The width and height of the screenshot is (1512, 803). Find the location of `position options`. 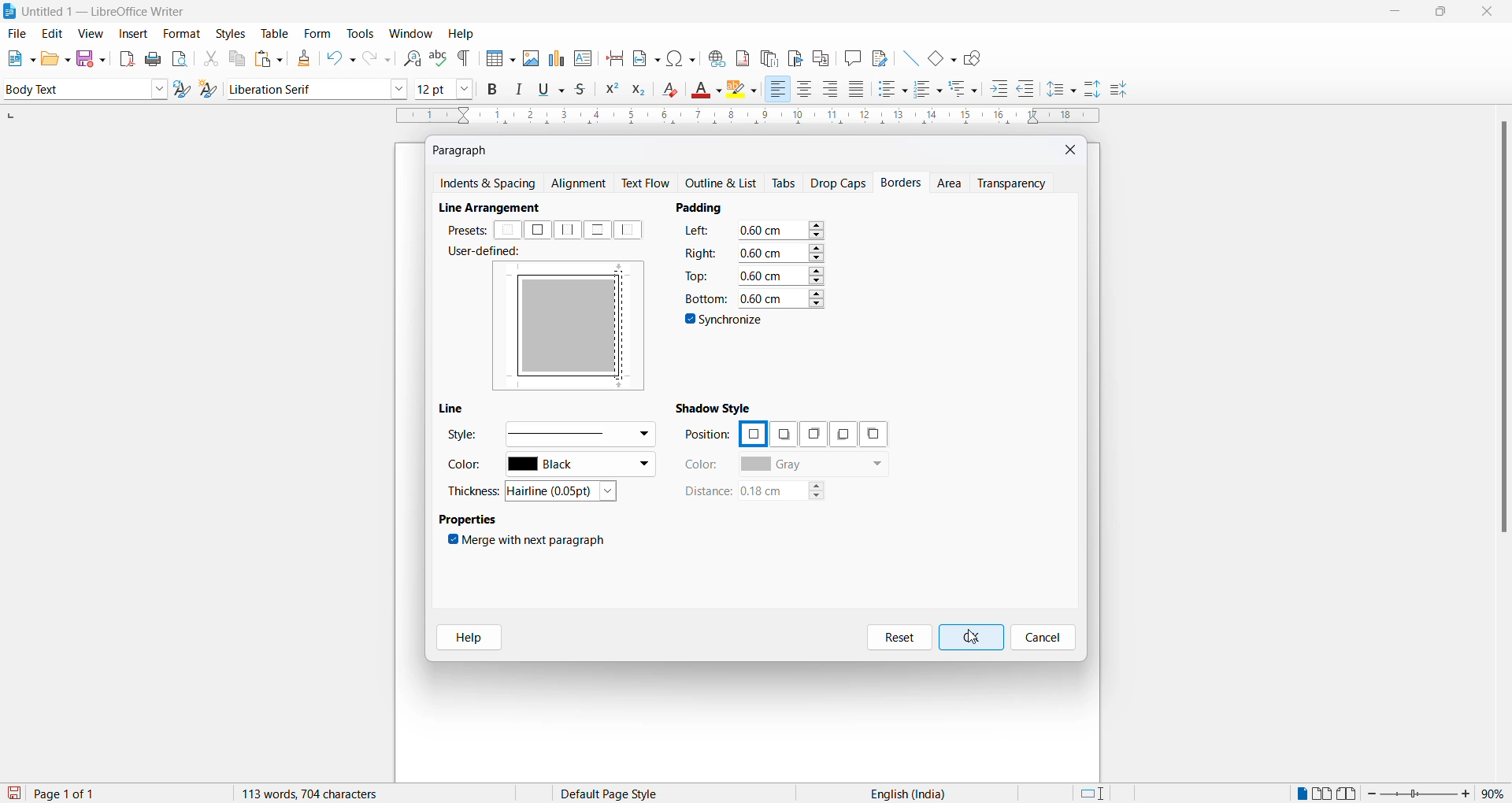

position options is located at coordinates (810, 434).